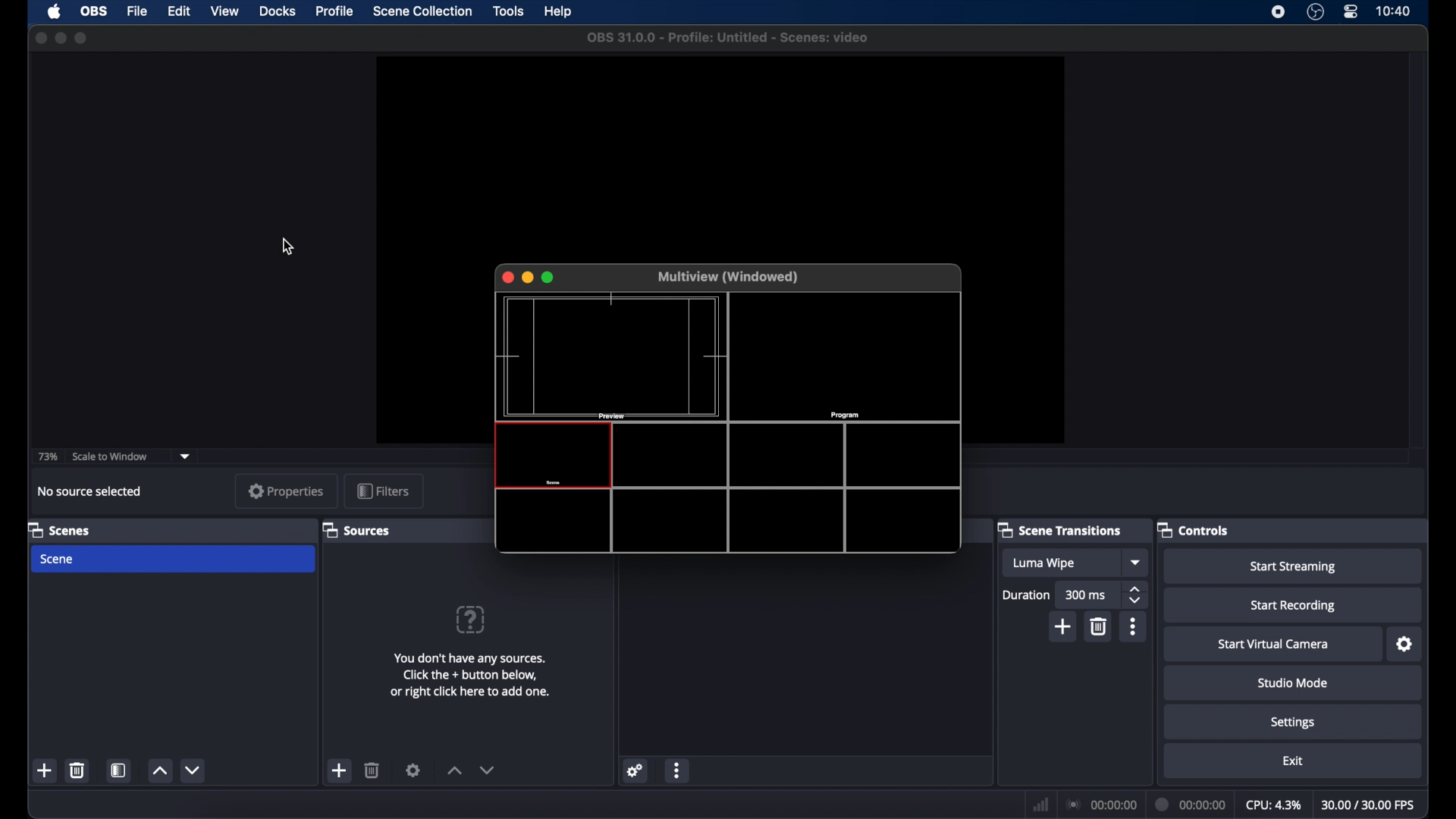 Image resolution: width=1456 pixels, height=819 pixels. Describe the element at coordinates (173, 560) in the screenshot. I see `scene` at that location.